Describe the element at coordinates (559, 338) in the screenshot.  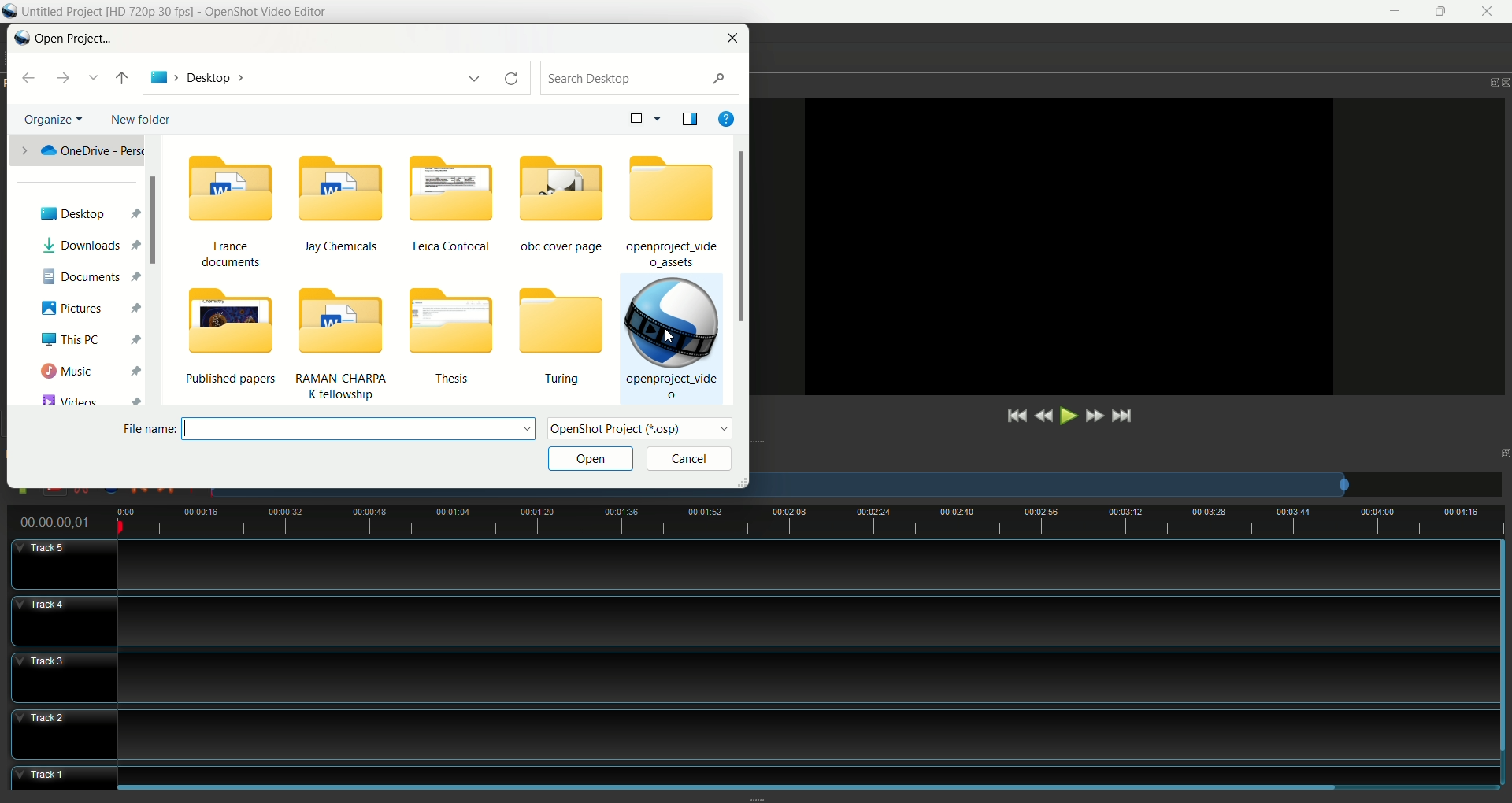
I see `Turing` at that location.